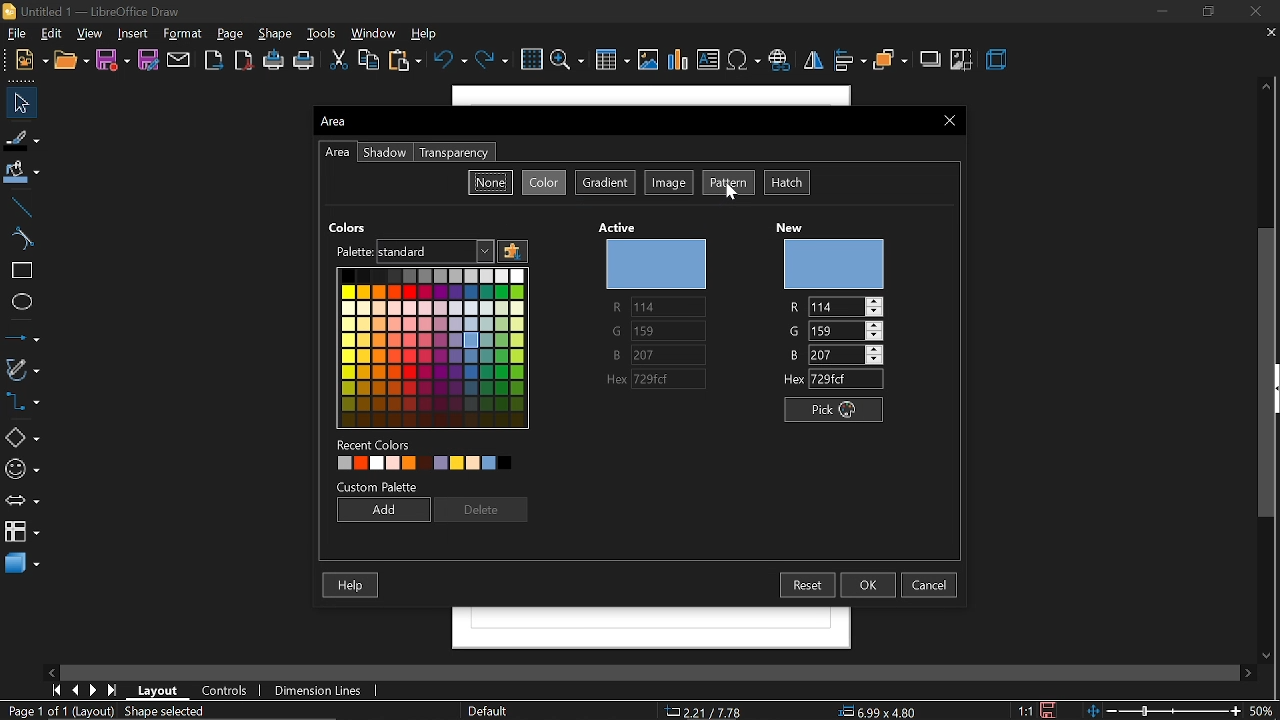 This screenshot has height=720, width=1280. I want to click on open, so click(72, 60).